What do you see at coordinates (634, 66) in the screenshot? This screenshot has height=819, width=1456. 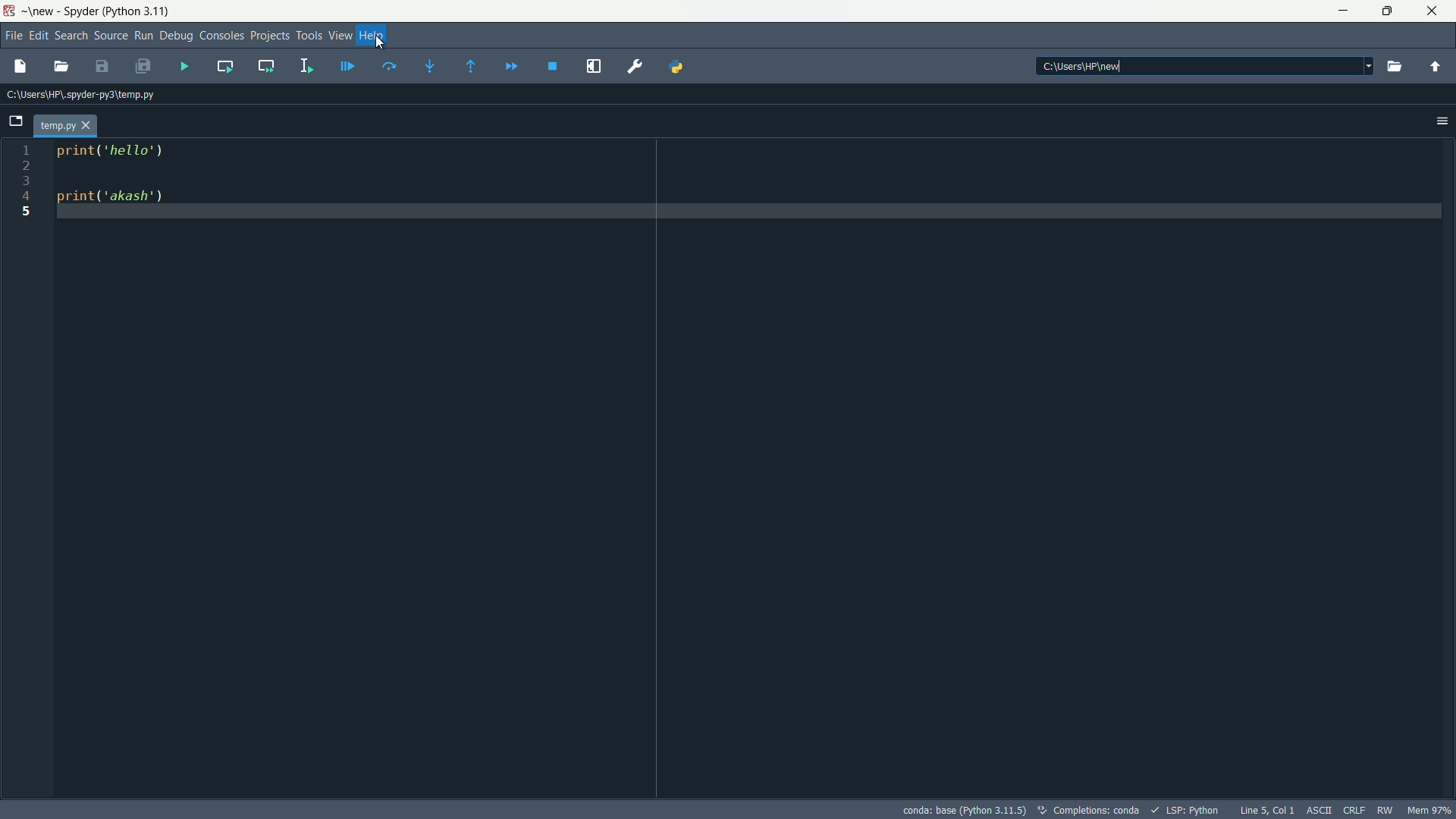 I see `preferences` at bounding box center [634, 66].